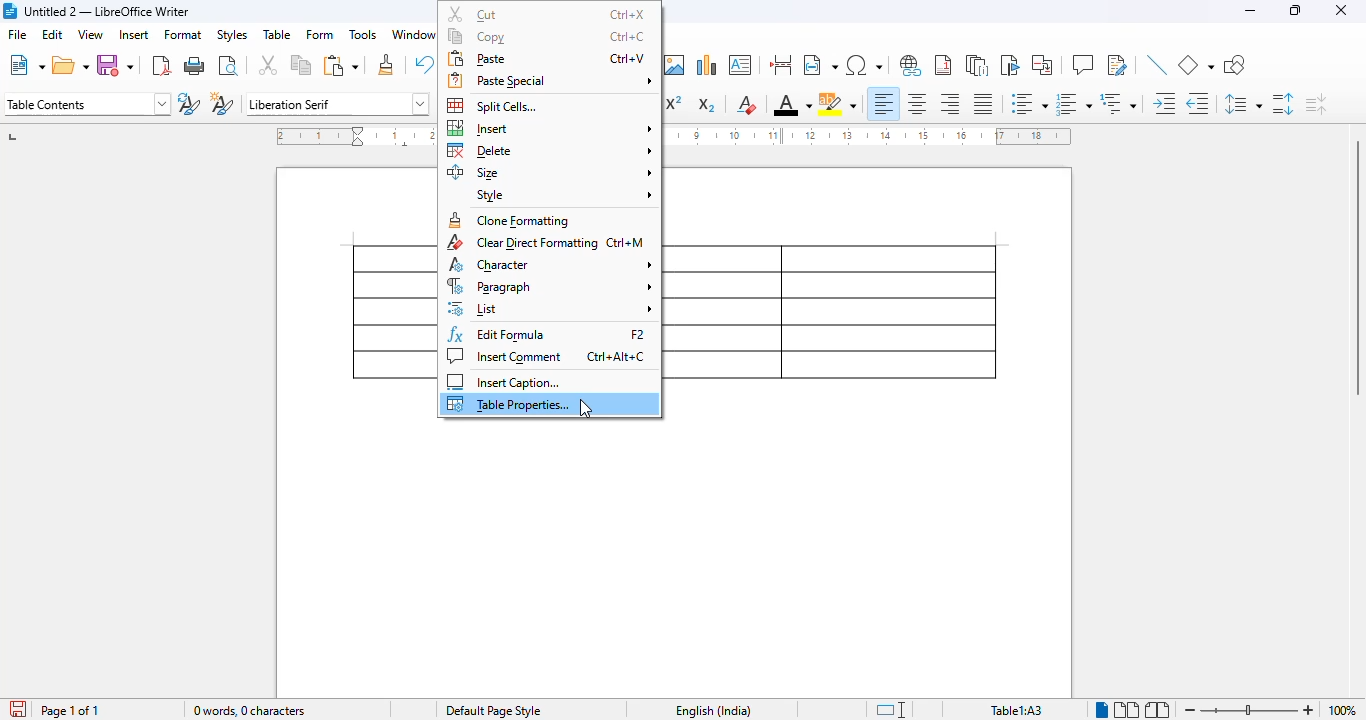 The width and height of the screenshot is (1366, 720). What do you see at coordinates (321, 35) in the screenshot?
I see `form` at bounding box center [321, 35].